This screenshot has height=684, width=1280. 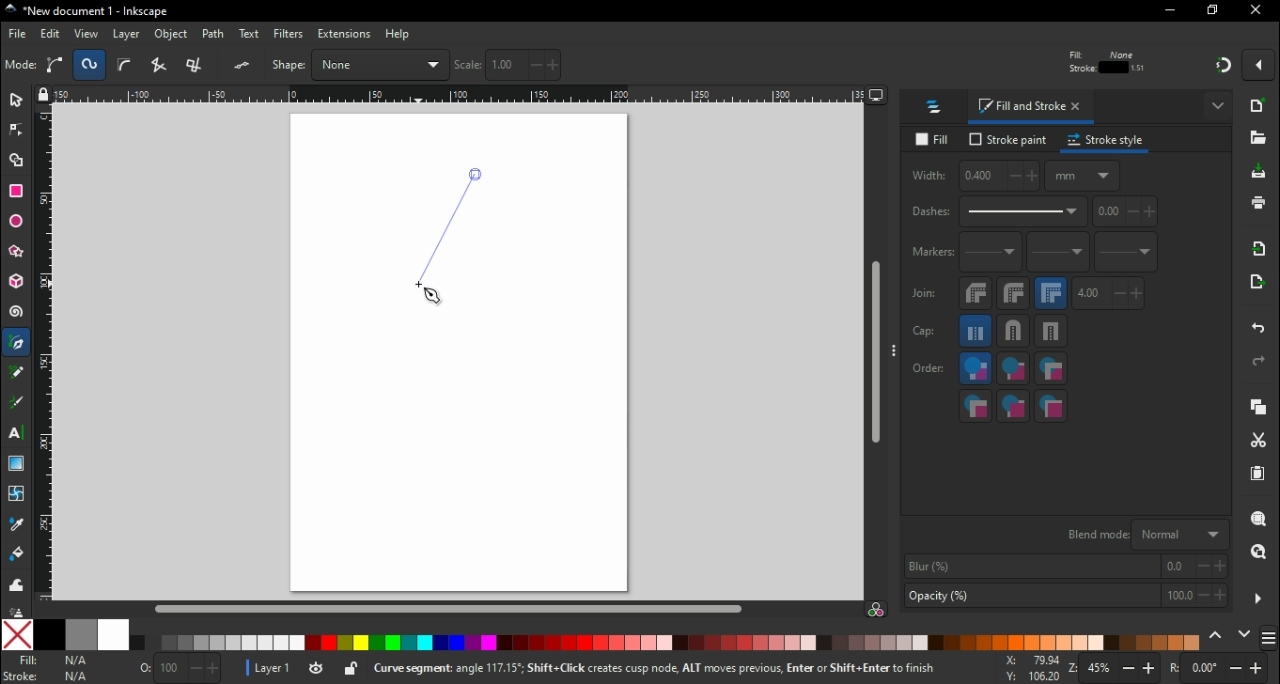 What do you see at coordinates (198, 65) in the screenshot?
I see `create a sequence of paraxial line segments` at bounding box center [198, 65].